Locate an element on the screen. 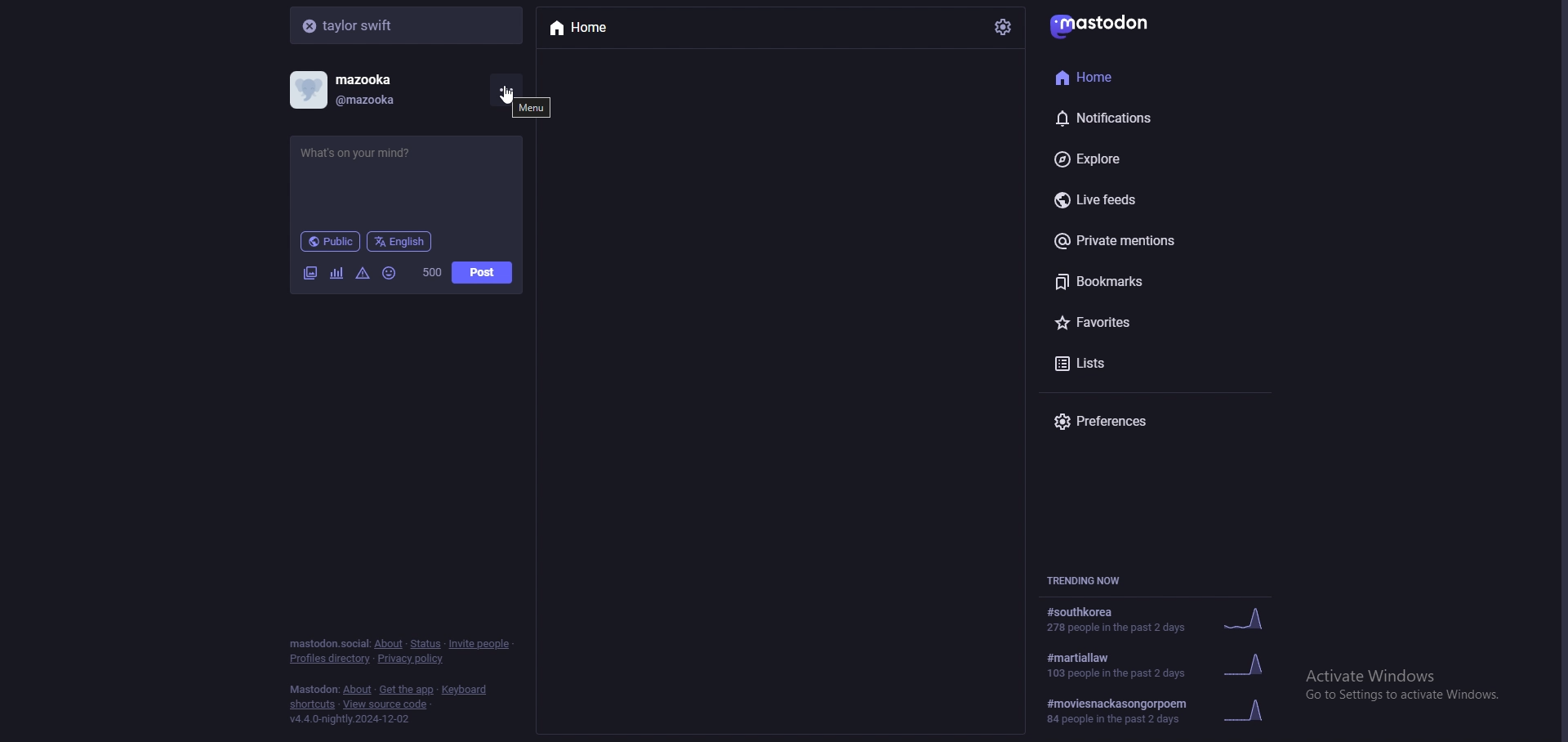 The height and width of the screenshot is (742, 1568). mastodon is located at coordinates (314, 689).